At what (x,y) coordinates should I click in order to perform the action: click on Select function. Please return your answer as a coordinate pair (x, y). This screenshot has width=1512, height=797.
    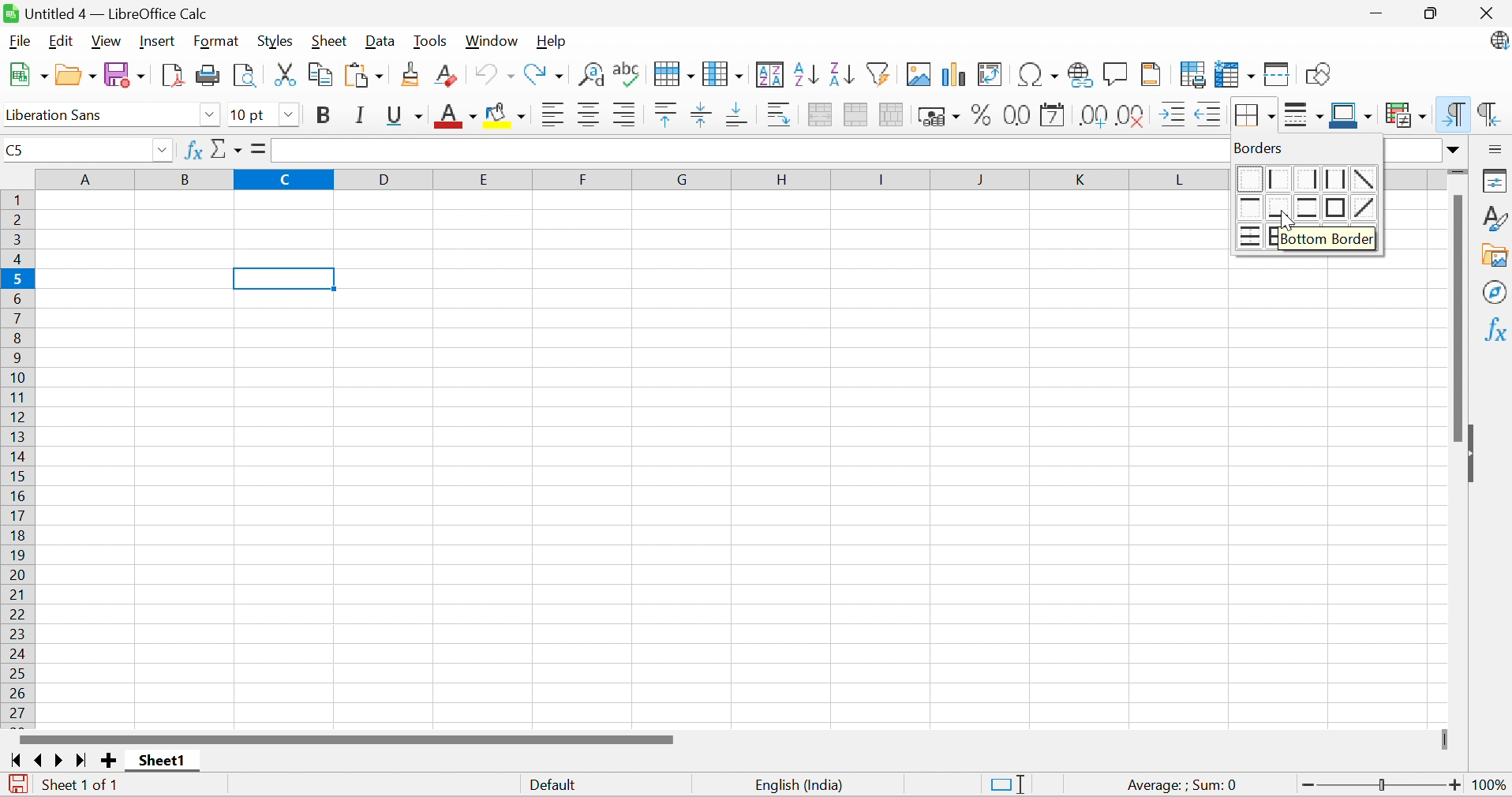
    Looking at the image, I should click on (227, 151).